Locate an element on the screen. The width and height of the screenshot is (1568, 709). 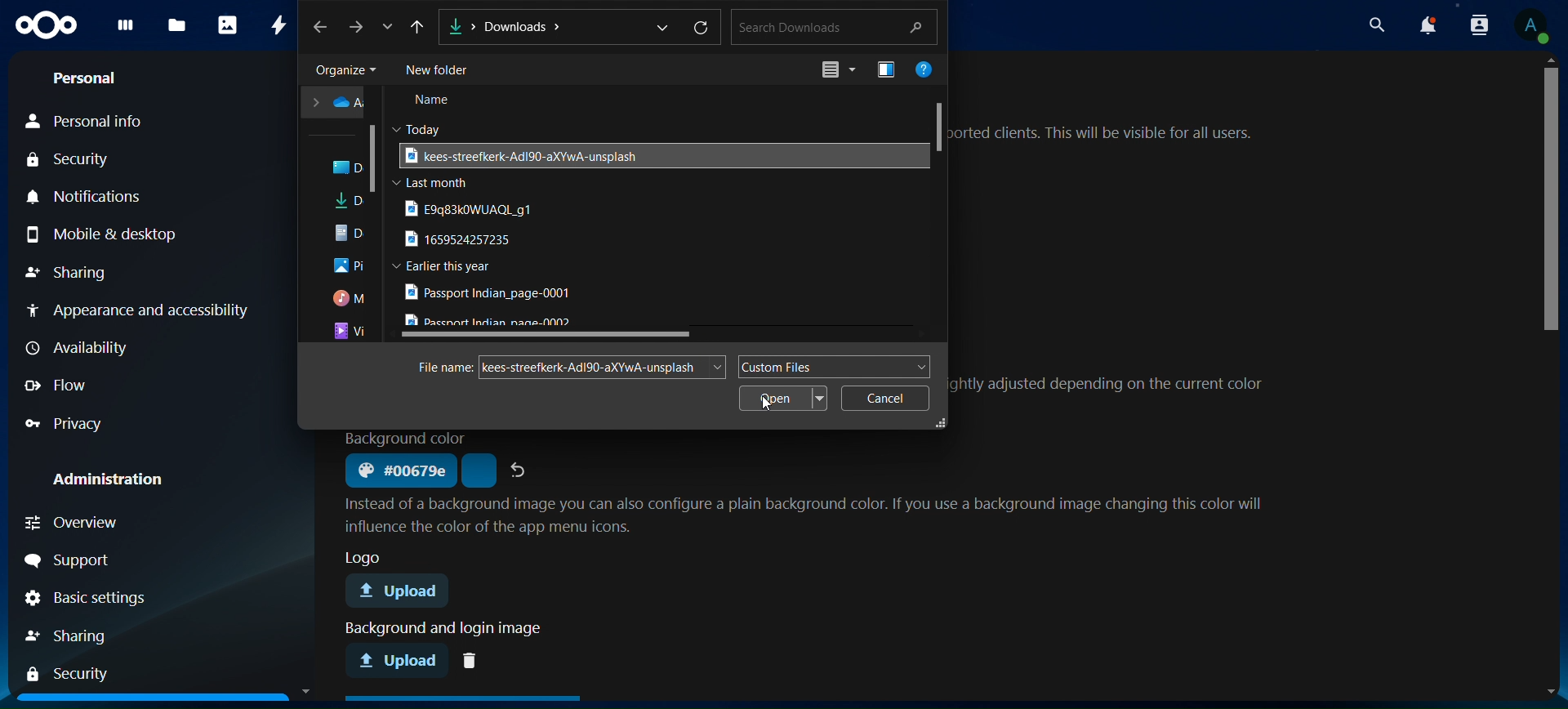
picture is located at coordinates (349, 267).